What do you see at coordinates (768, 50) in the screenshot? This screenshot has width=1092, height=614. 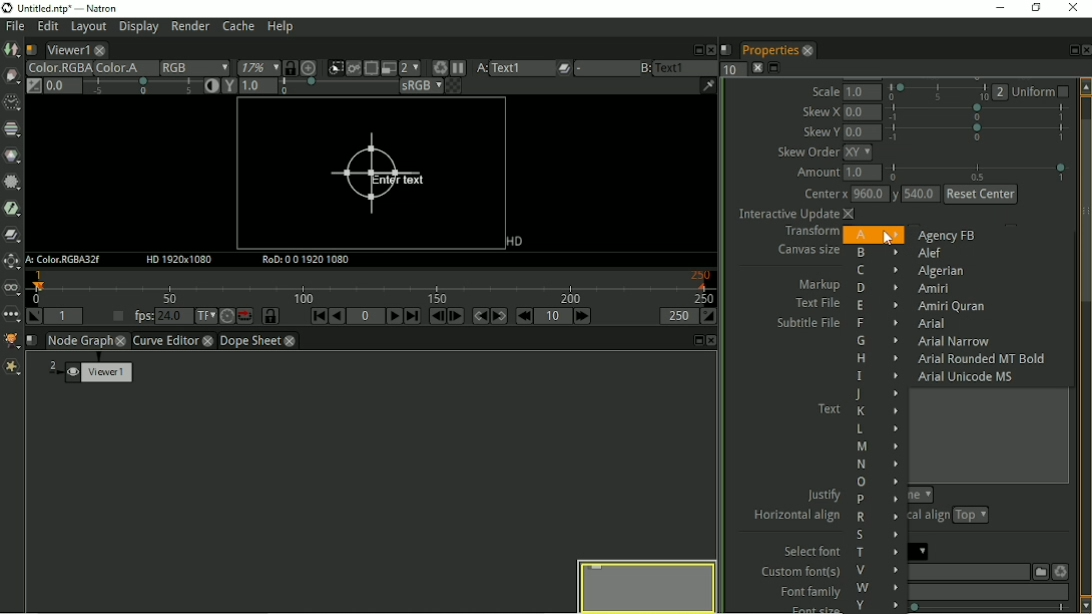 I see `Properties` at bounding box center [768, 50].